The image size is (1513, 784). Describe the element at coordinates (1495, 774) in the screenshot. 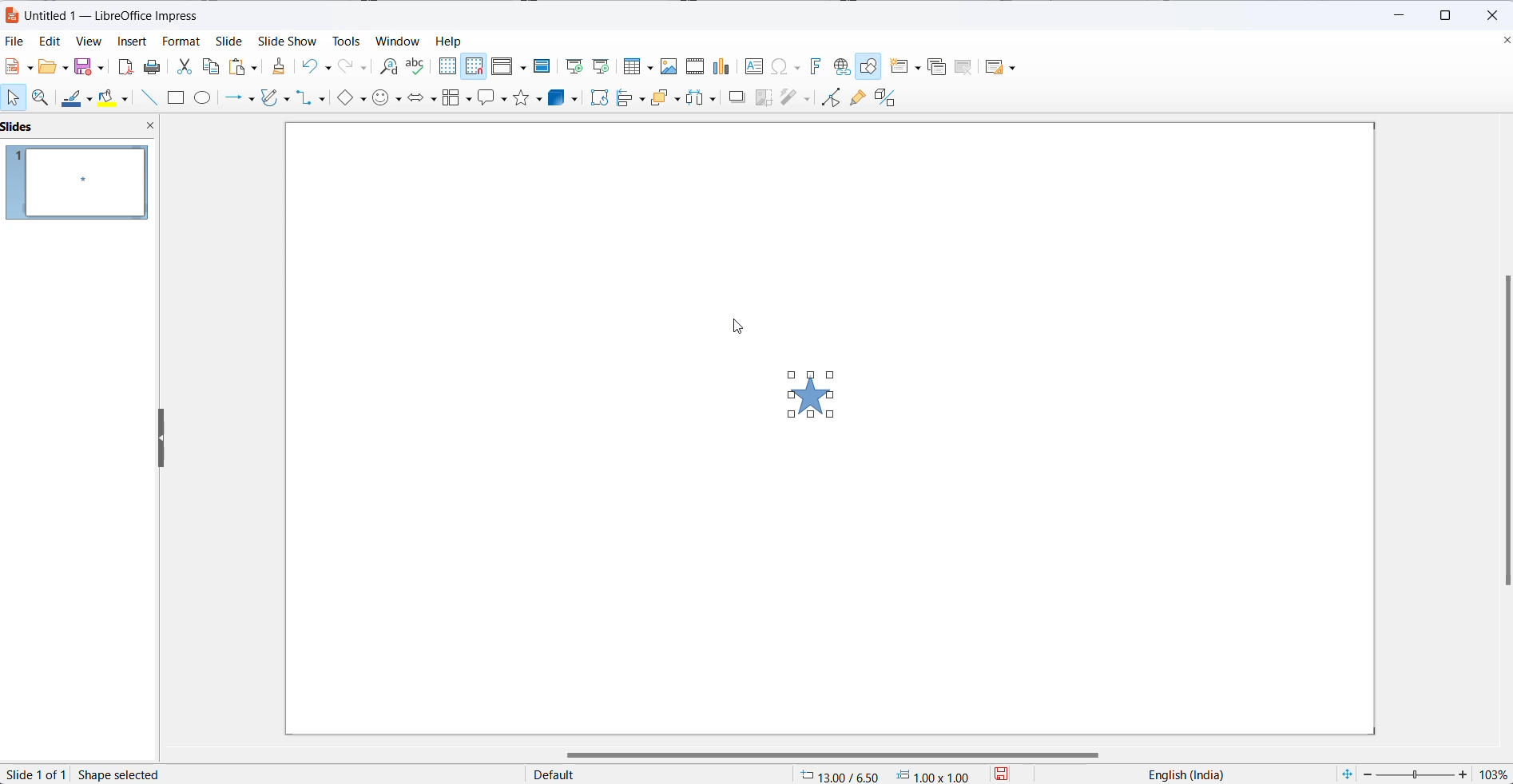

I see `zoom percentage` at that location.